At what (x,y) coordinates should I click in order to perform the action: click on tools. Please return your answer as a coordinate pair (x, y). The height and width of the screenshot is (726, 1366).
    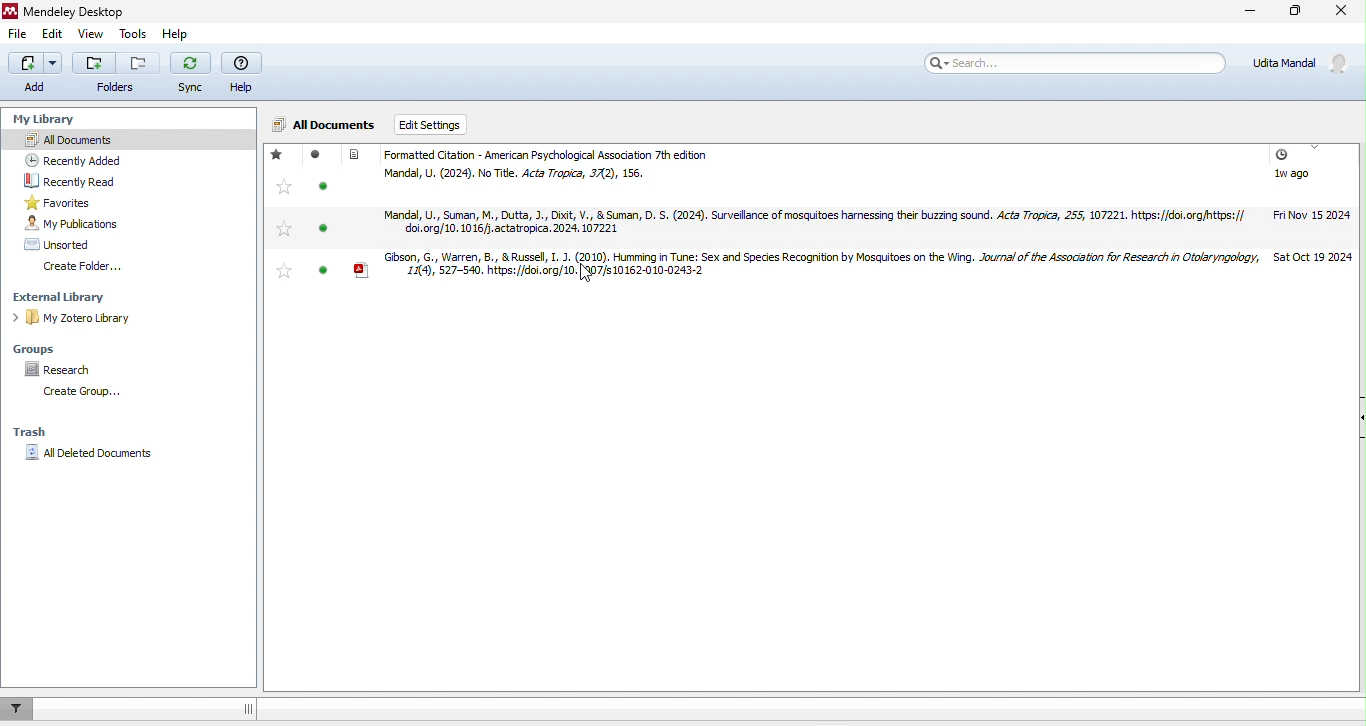
    Looking at the image, I should click on (134, 30).